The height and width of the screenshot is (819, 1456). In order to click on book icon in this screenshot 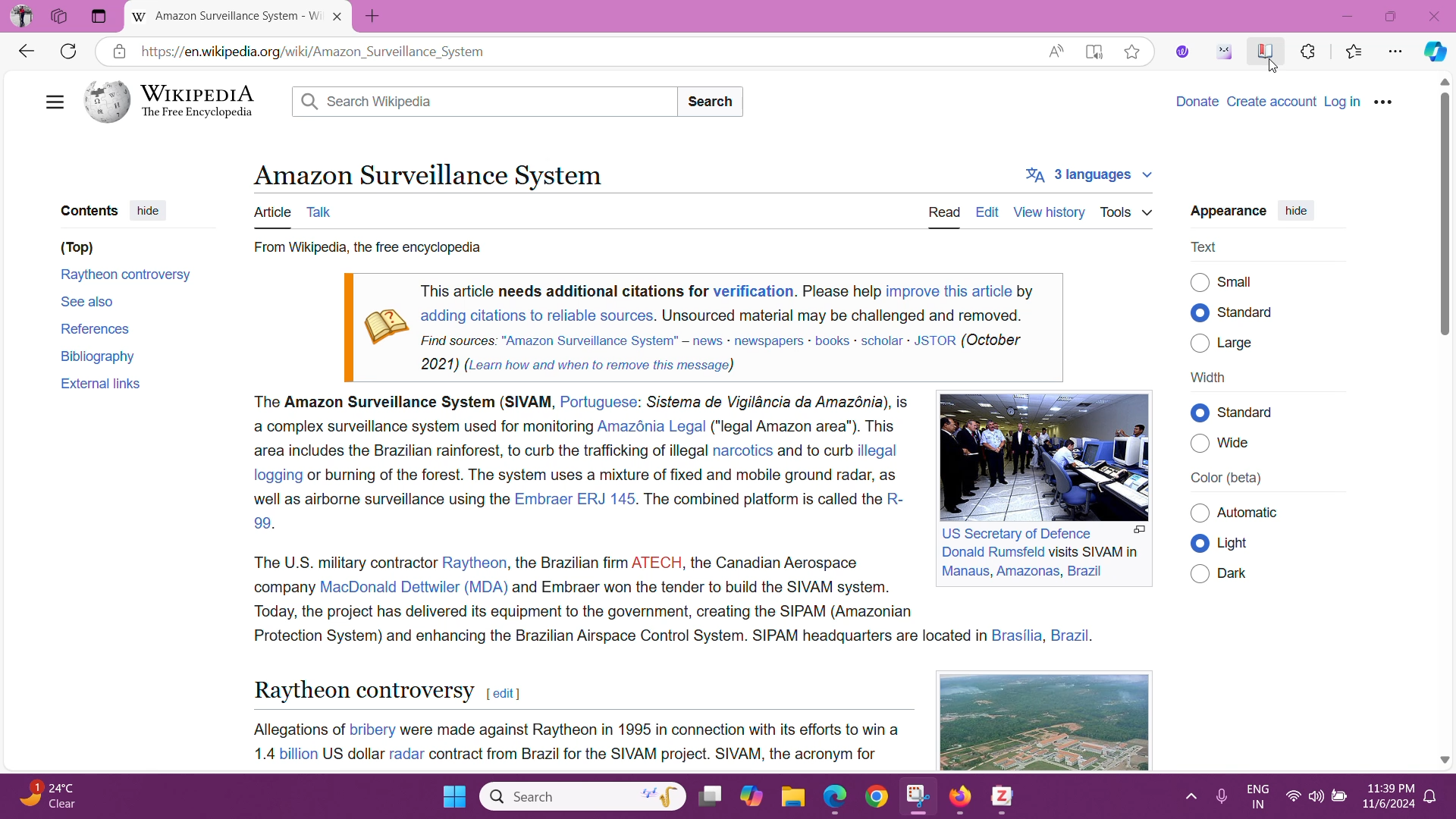, I will do `click(384, 321)`.